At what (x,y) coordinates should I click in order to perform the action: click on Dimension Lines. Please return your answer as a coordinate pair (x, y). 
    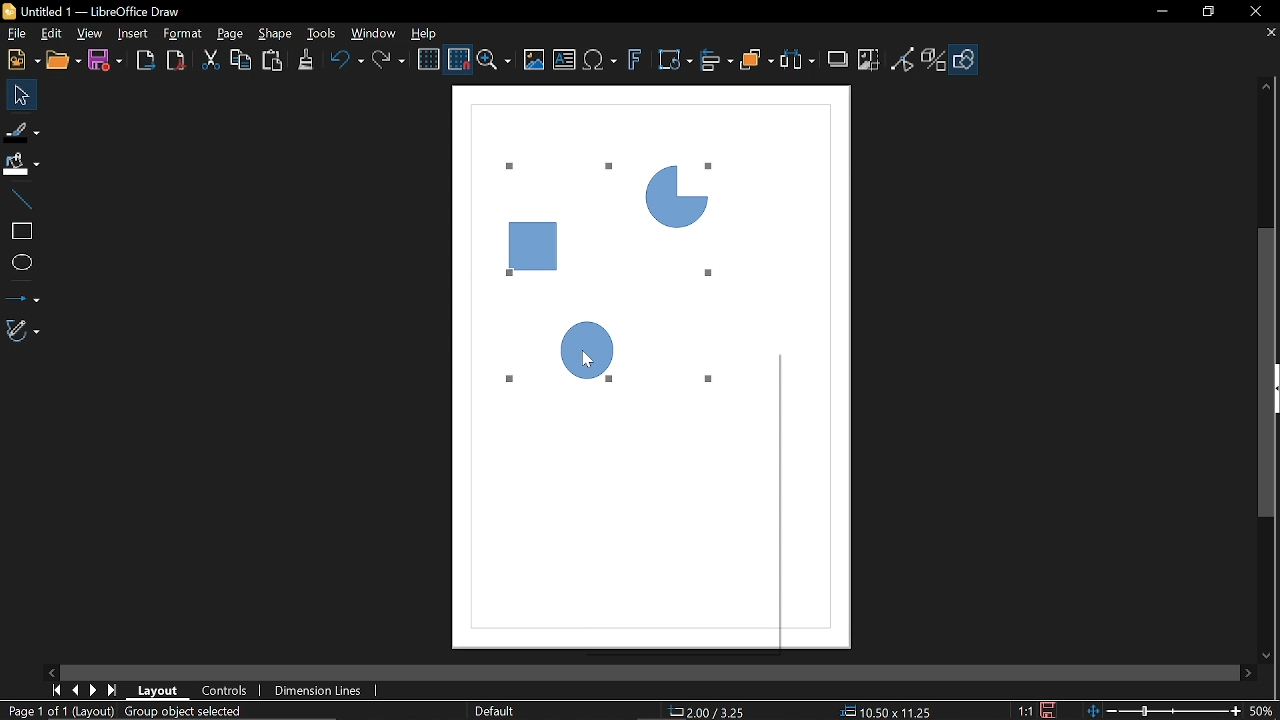
    Looking at the image, I should click on (319, 691).